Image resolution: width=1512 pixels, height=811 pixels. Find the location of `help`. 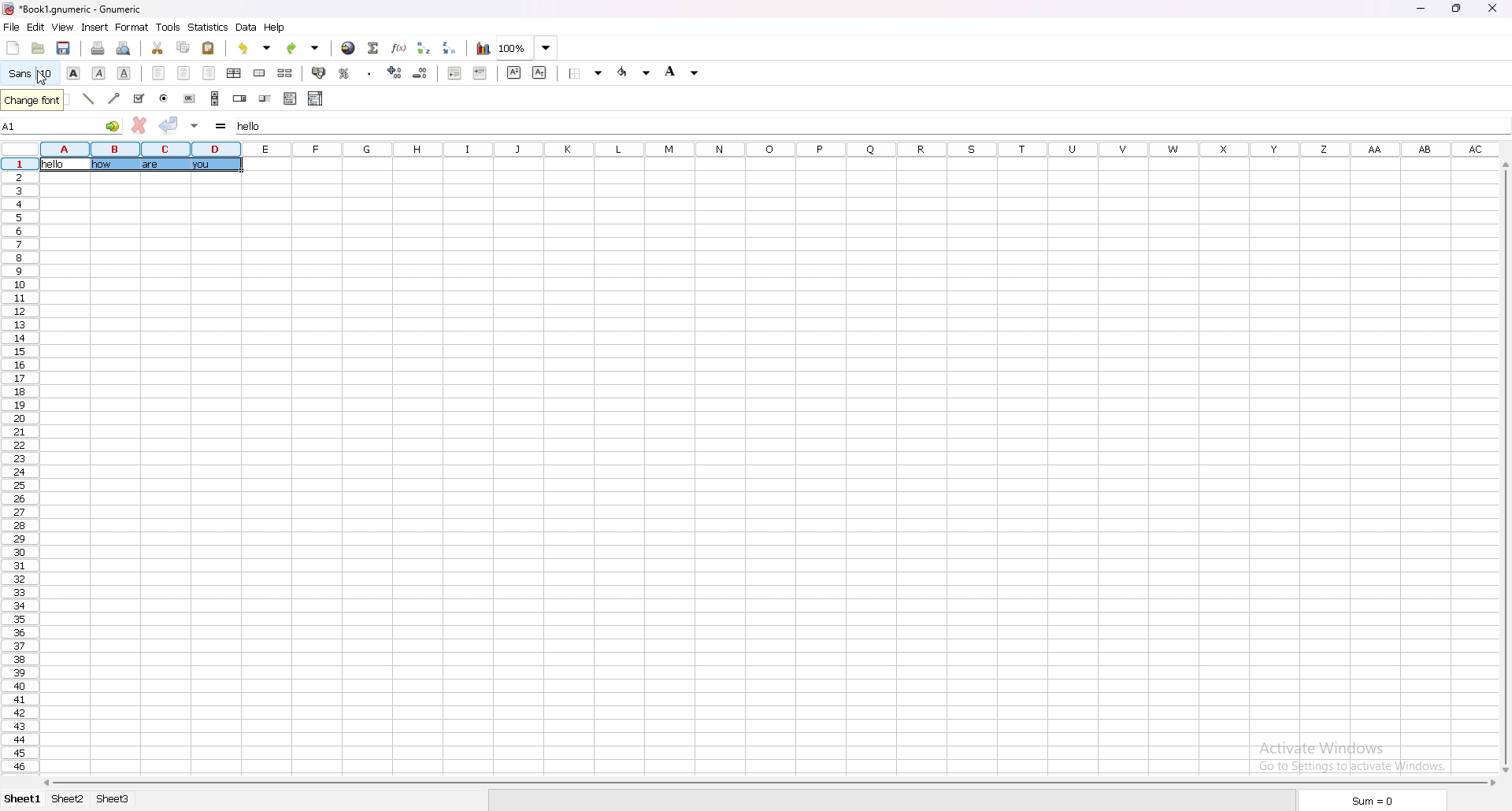

help is located at coordinates (276, 28).